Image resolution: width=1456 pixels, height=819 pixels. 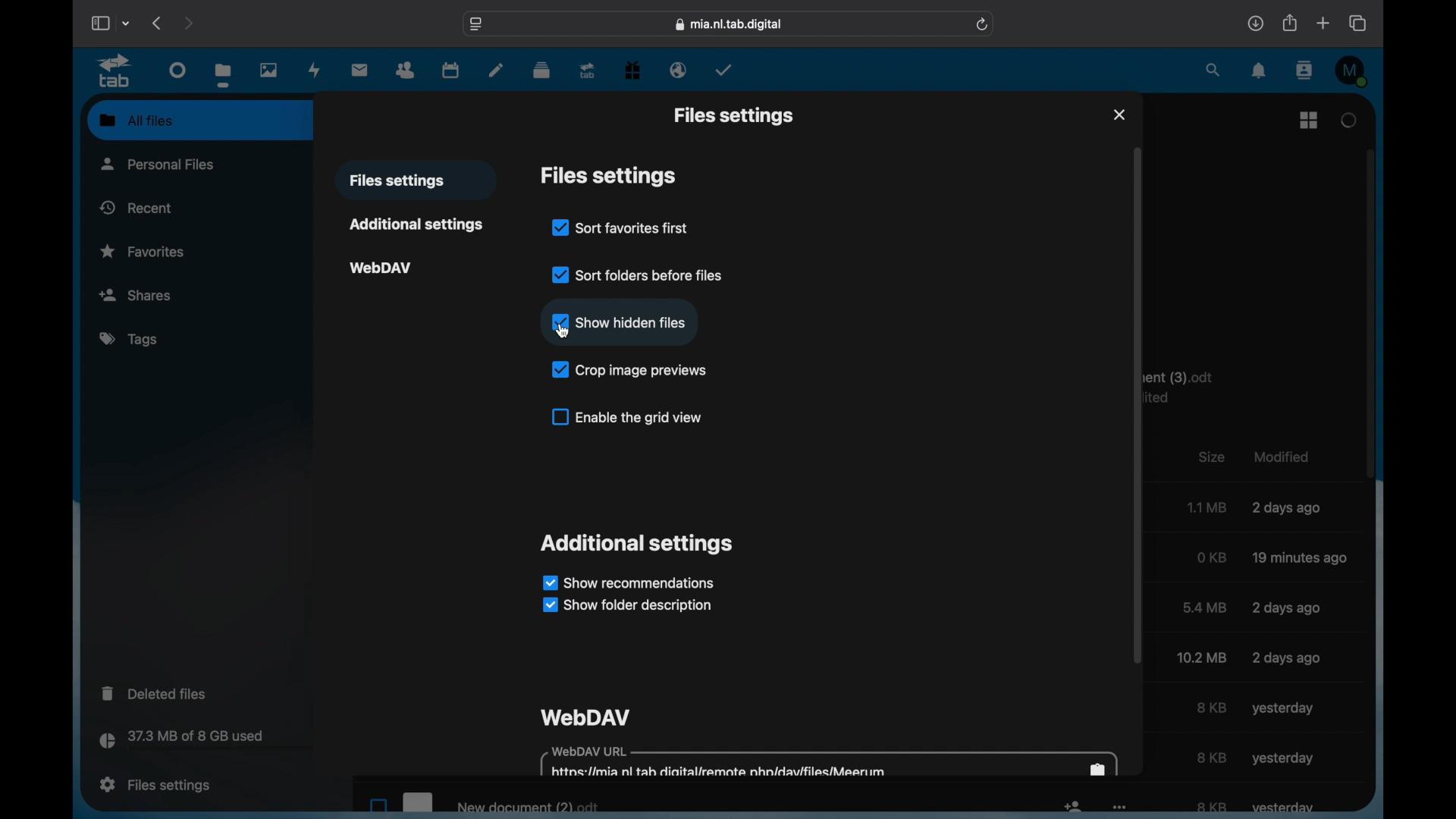 I want to click on sort favorites first, so click(x=620, y=227).